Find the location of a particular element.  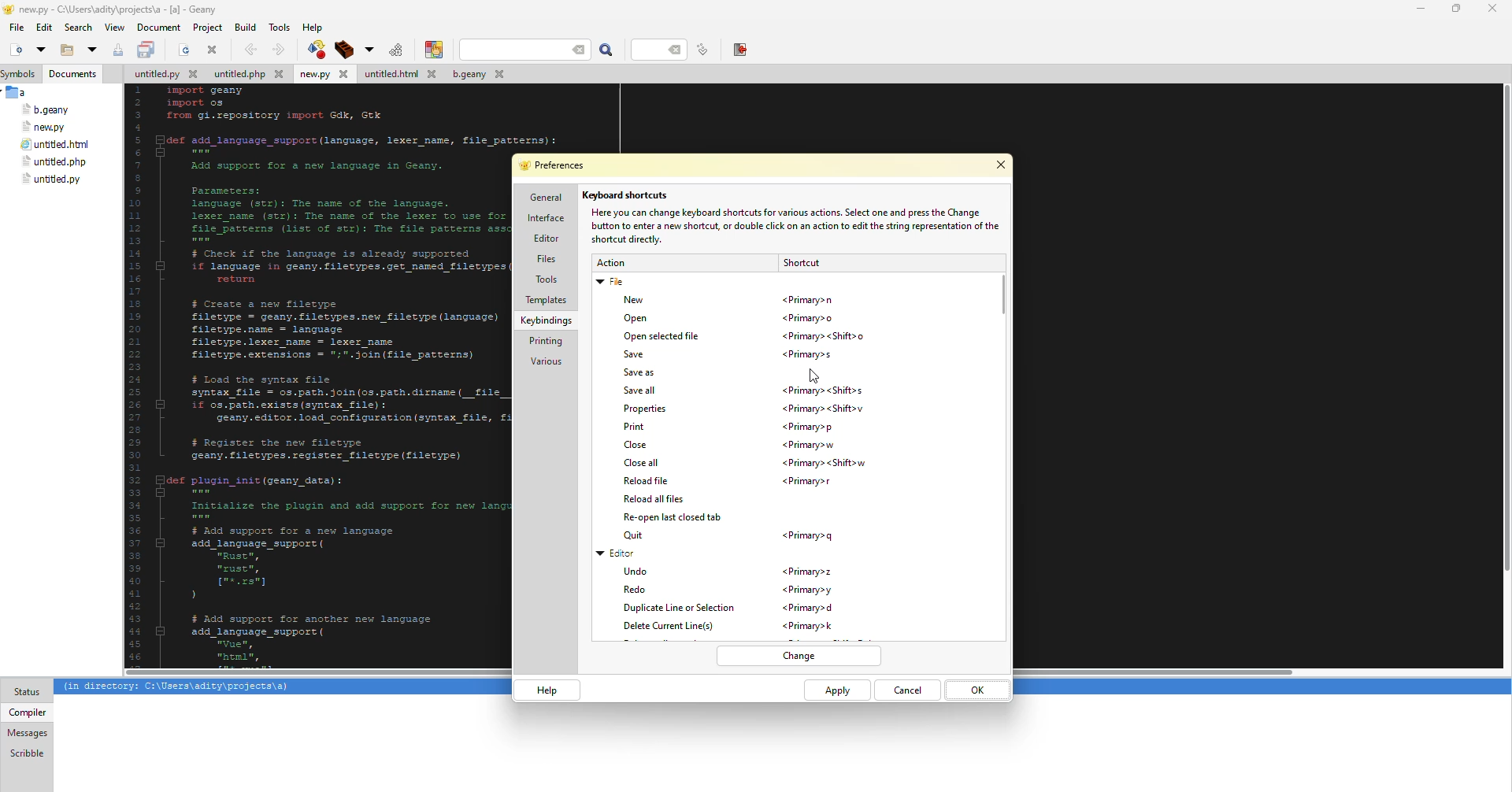

line number is located at coordinates (663, 49).